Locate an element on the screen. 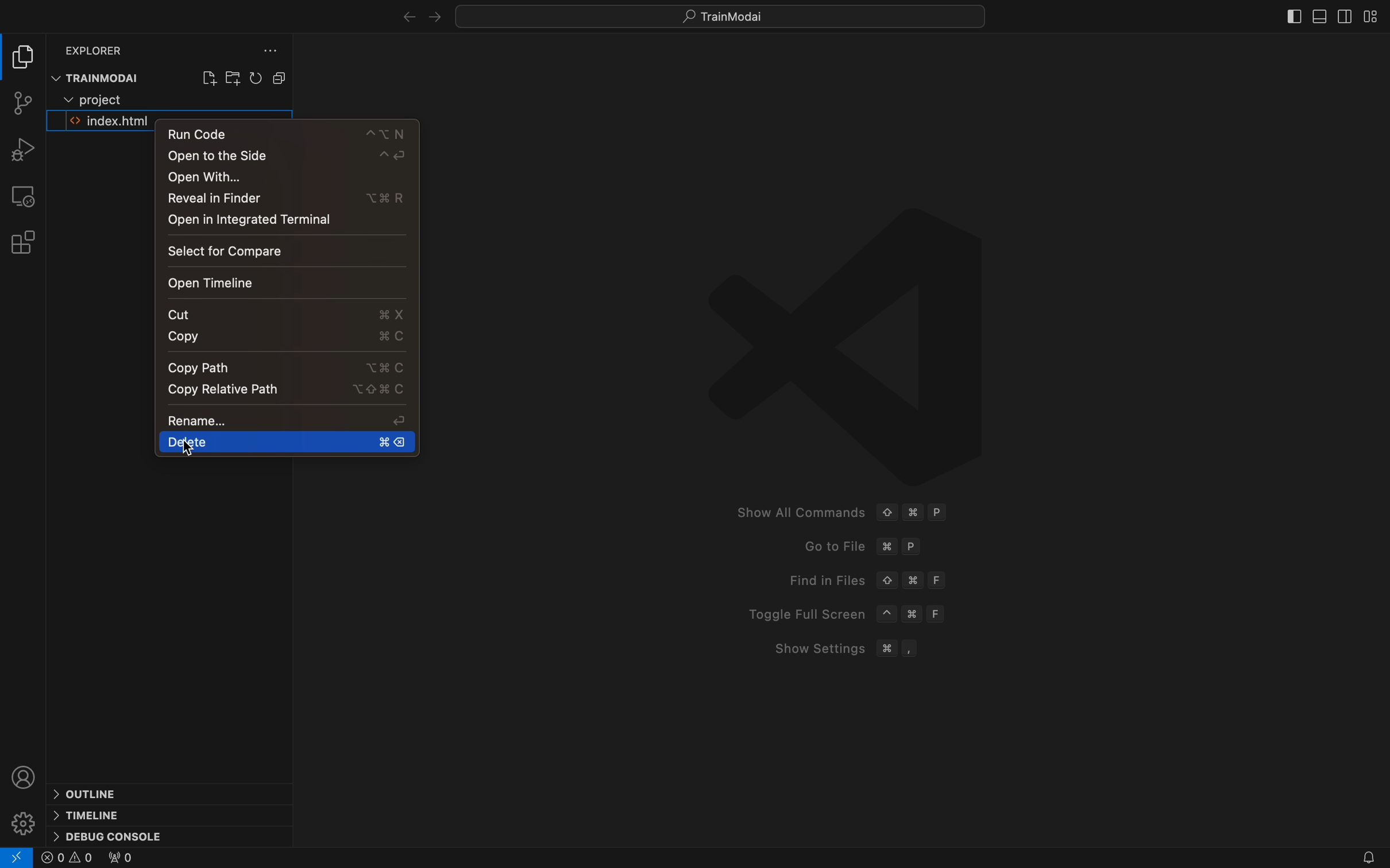  arrows is located at coordinates (404, 18).